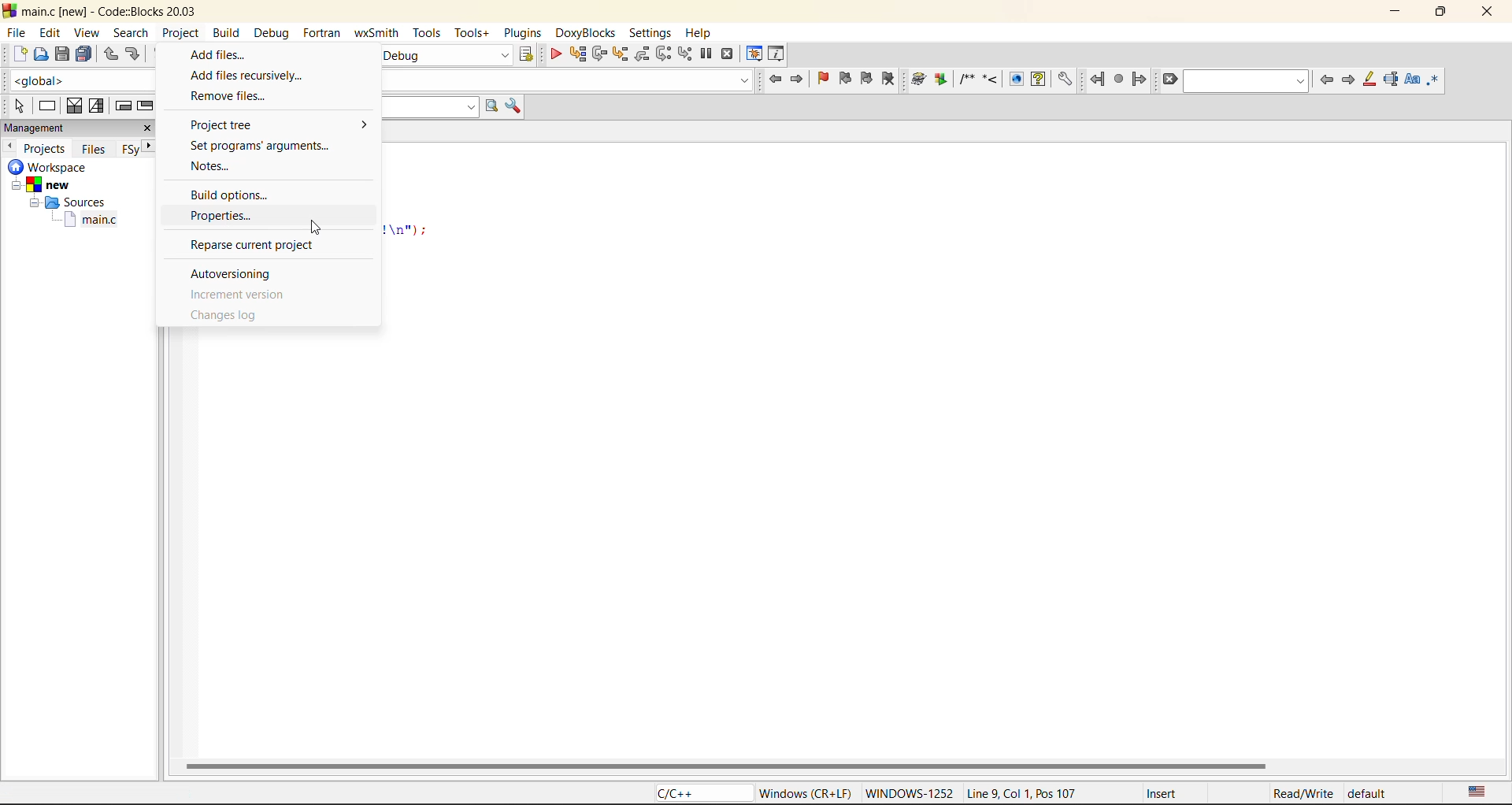  I want to click on WINDOWWS-1252, so click(912, 792).